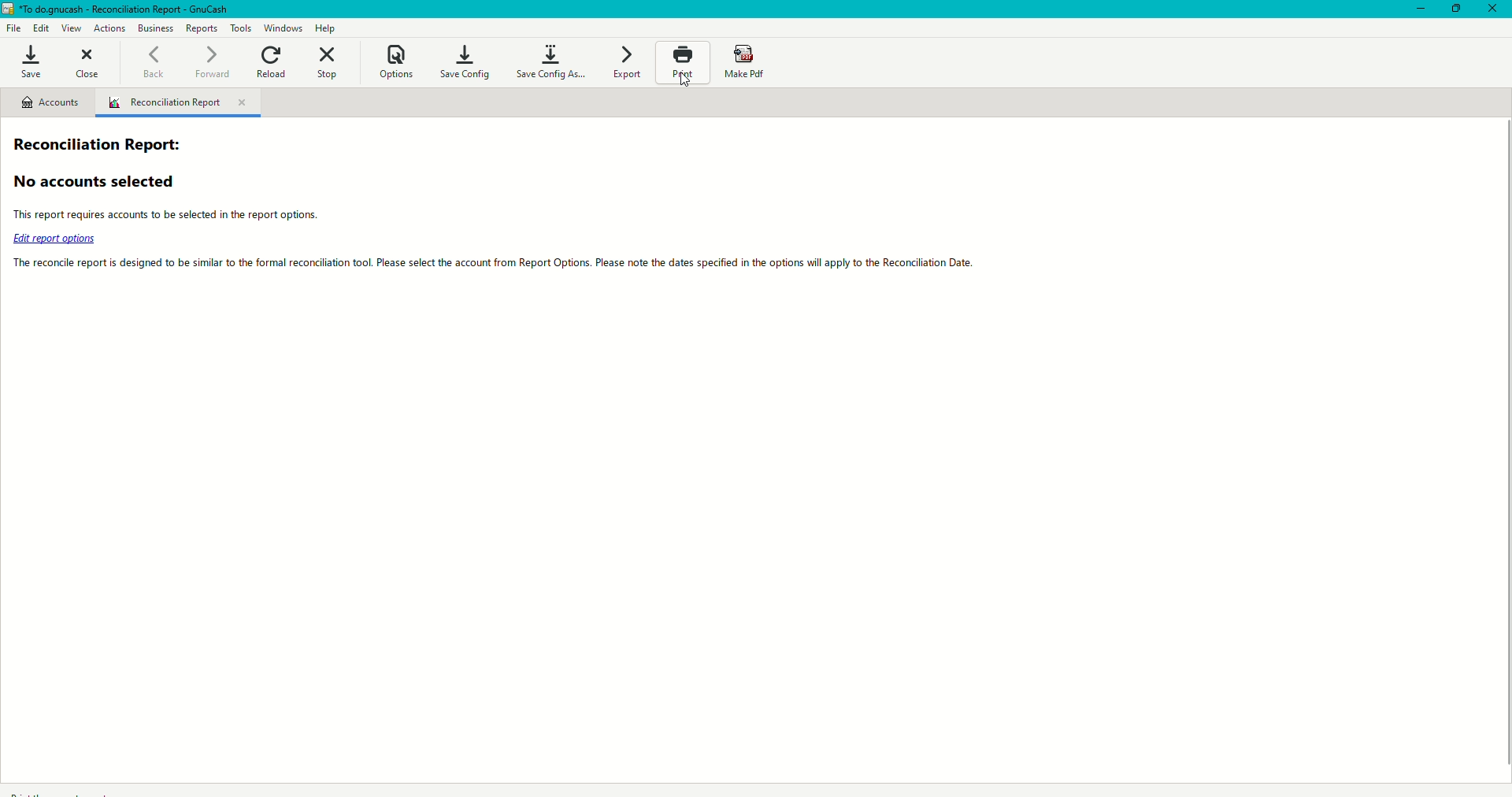  Describe the element at coordinates (1492, 9) in the screenshot. I see `Close` at that location.